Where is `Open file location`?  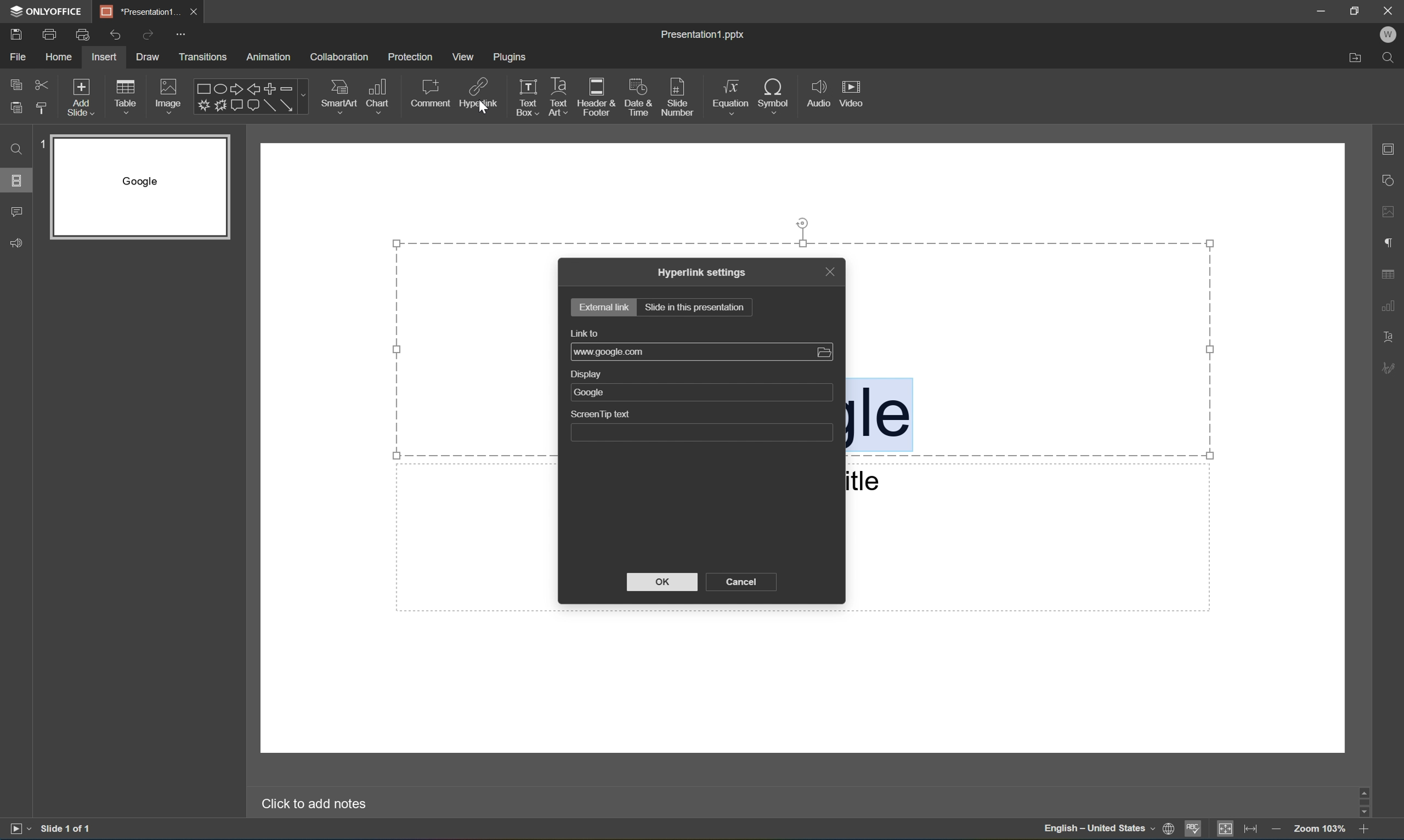 Open file location is located at coordinates (1355, 59).